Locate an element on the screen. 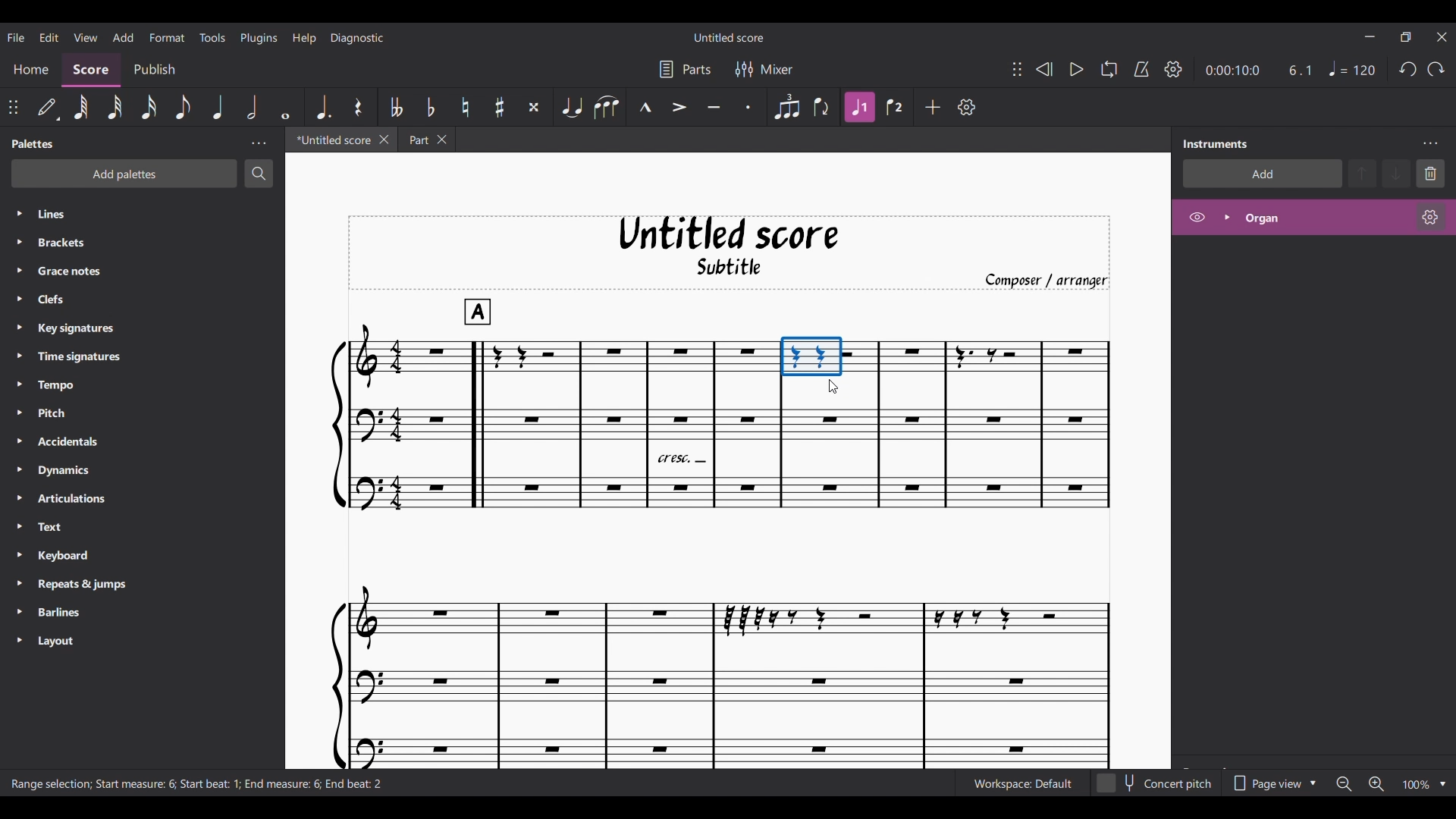  16th note is located at coordinates (149, 108).